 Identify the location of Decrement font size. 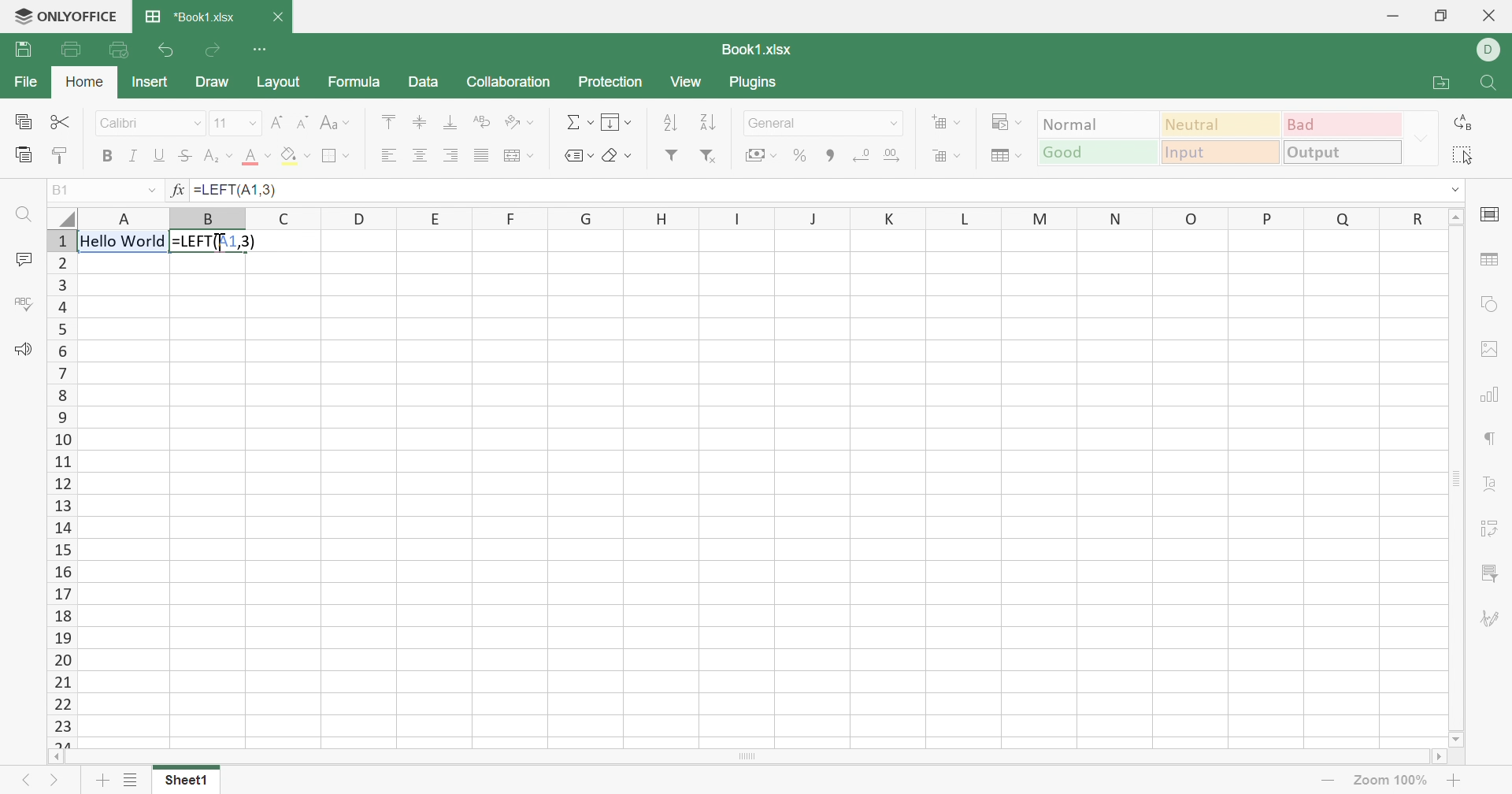
(303, 121).